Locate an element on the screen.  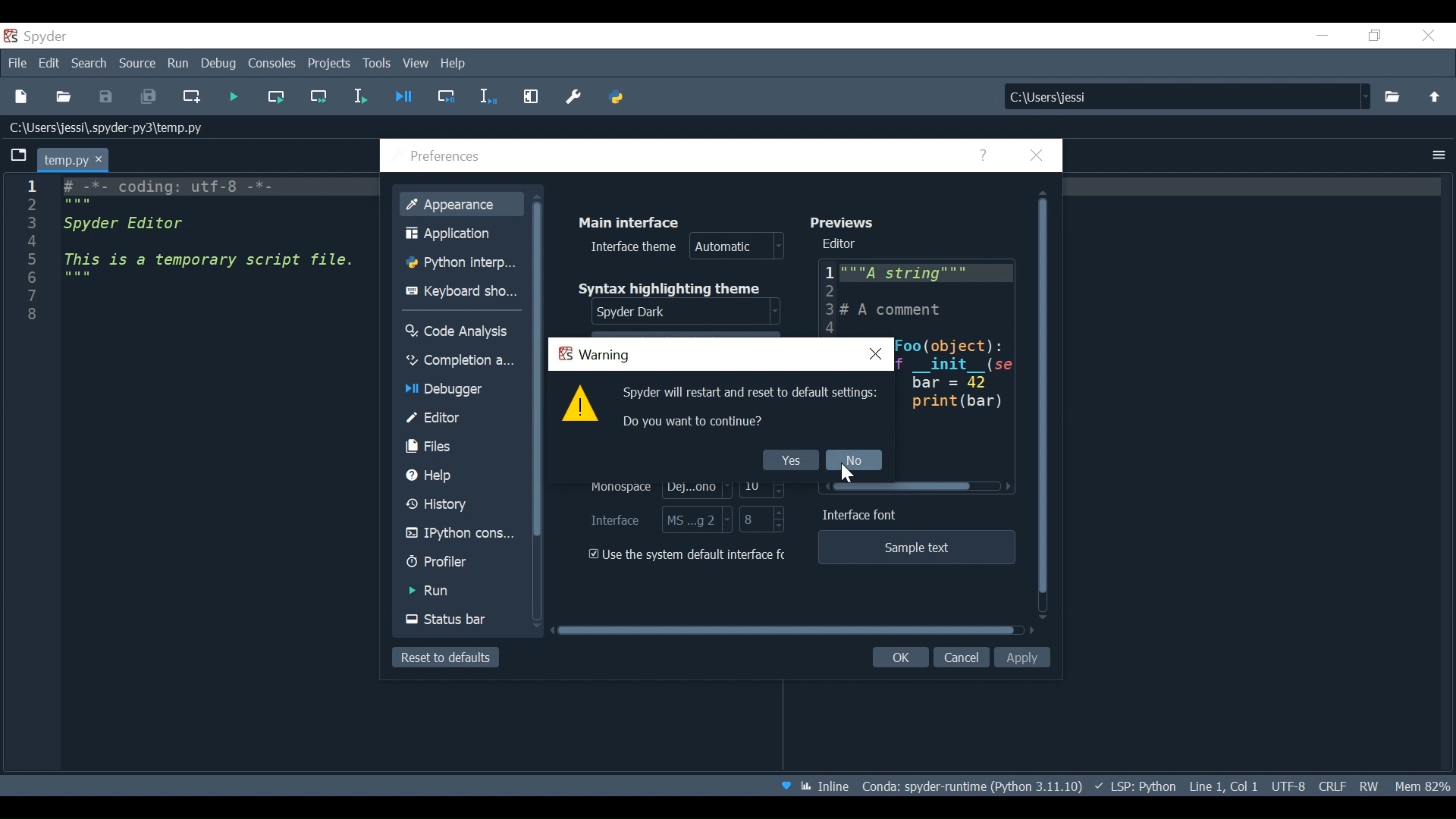
Appearance is located at coordinates (465, 203).